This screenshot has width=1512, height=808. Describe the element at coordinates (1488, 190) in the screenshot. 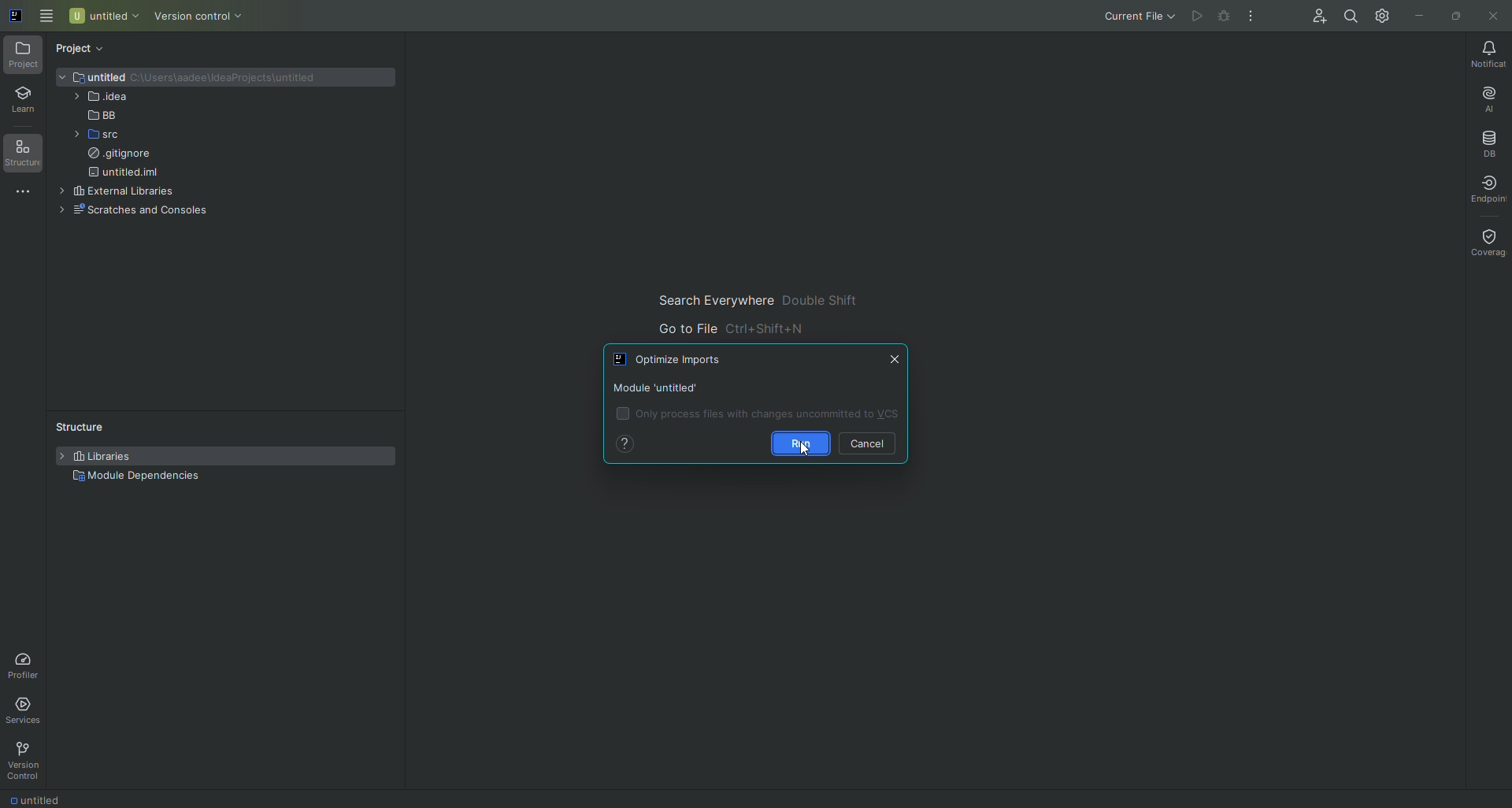

I see `Endpoint` at that location.